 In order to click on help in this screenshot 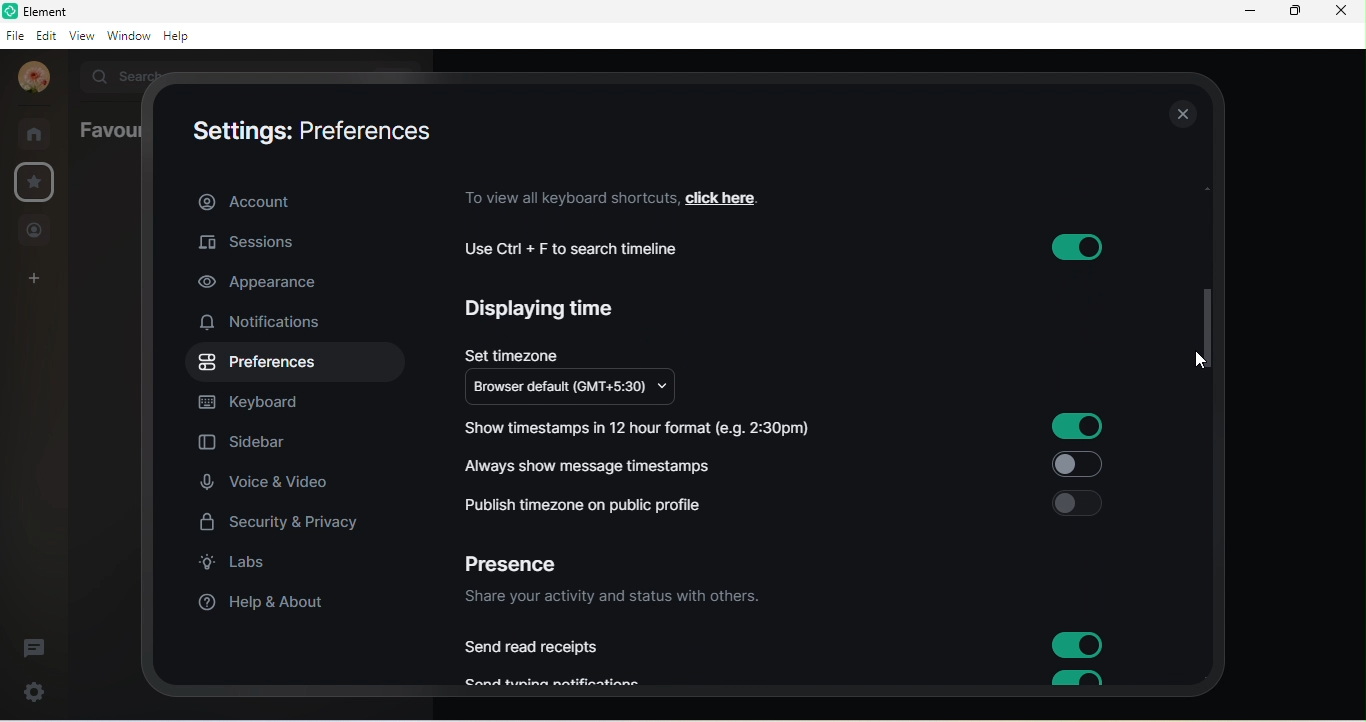, I will do `click(183, 38)`.